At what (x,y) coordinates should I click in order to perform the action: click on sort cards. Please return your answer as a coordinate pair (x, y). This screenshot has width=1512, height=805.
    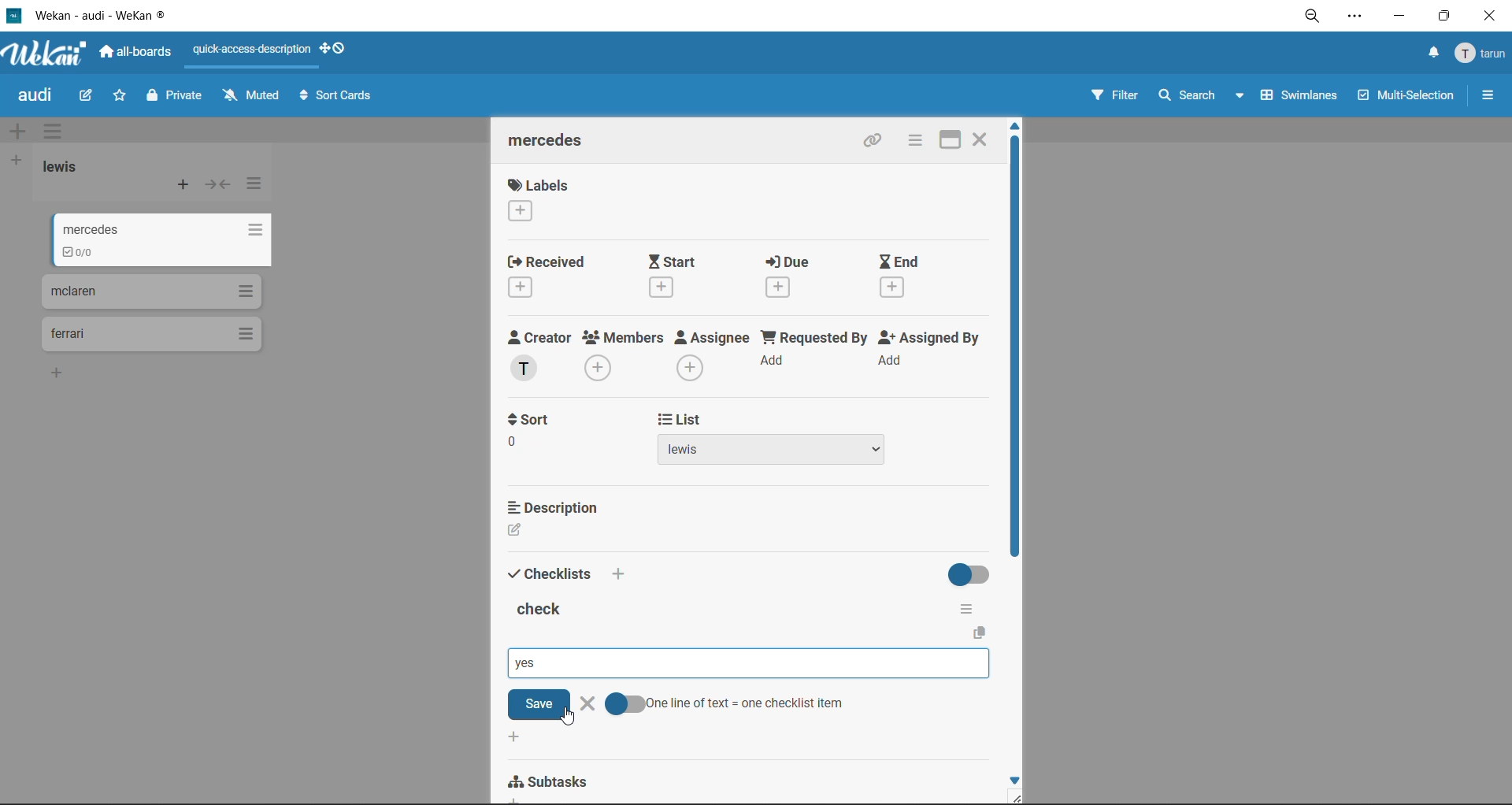
    Looking at the image, I should click on (339, 98).